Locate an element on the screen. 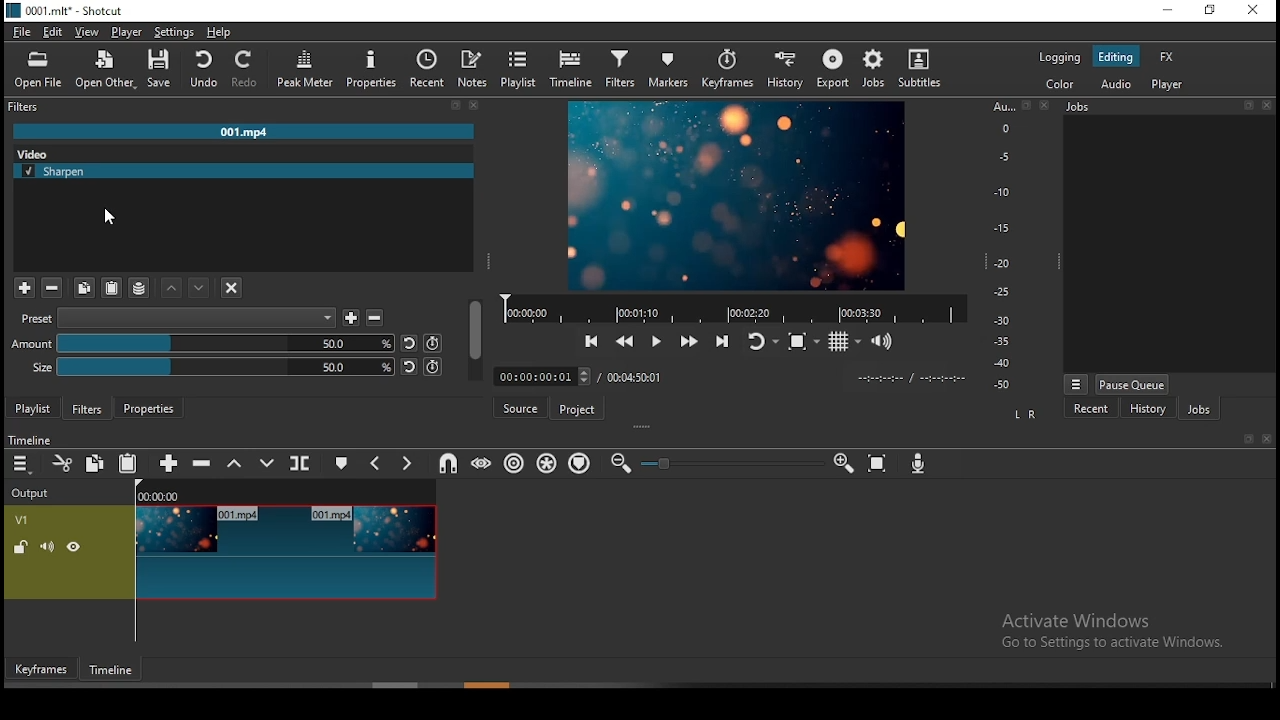 This screenshot has height=720, width=1280. video progress bar is located at coordinates (728, 305).